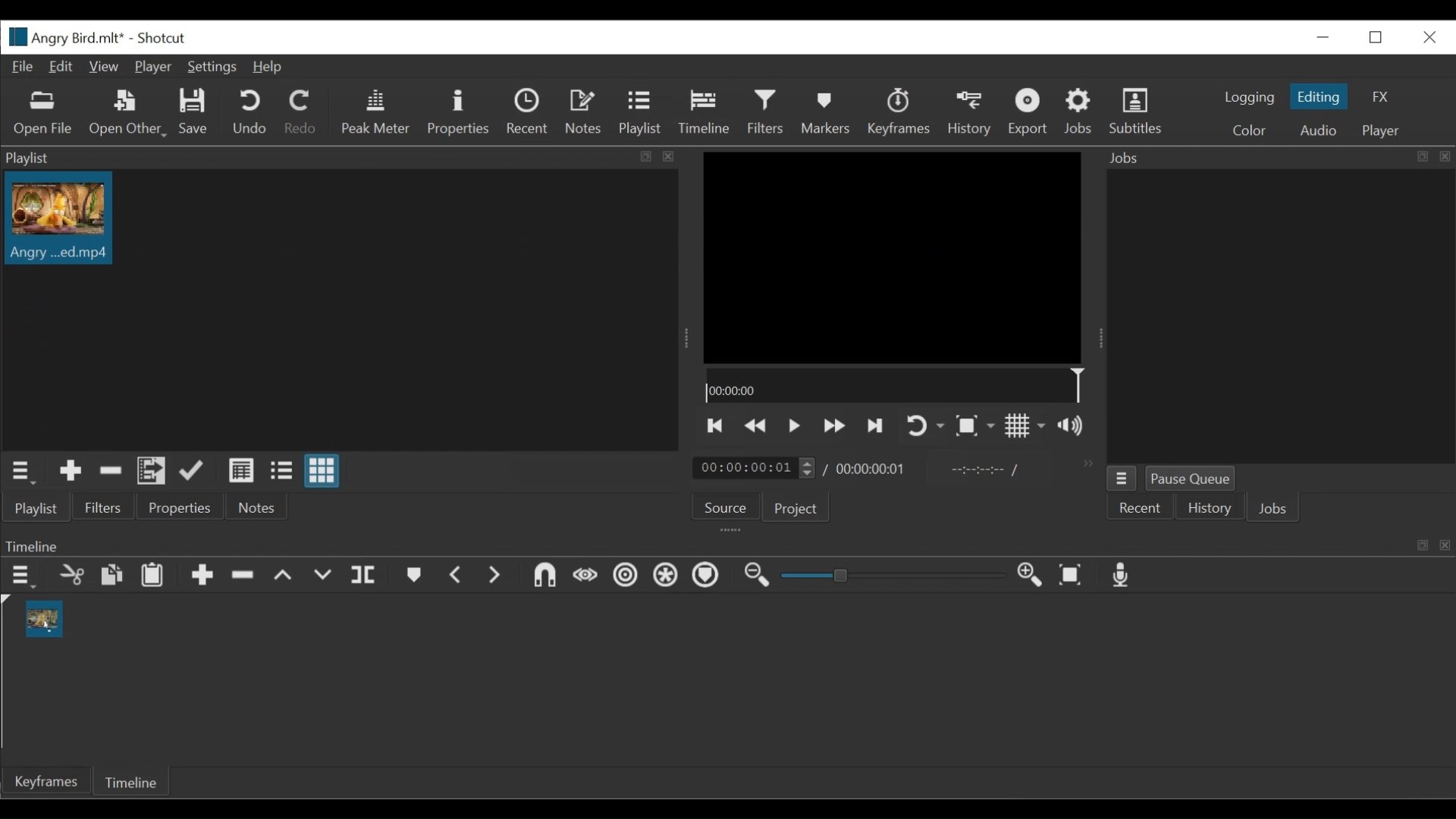  Describe the element at coordinates (413, 576) in the screenshot. I see `Markers` at that location.